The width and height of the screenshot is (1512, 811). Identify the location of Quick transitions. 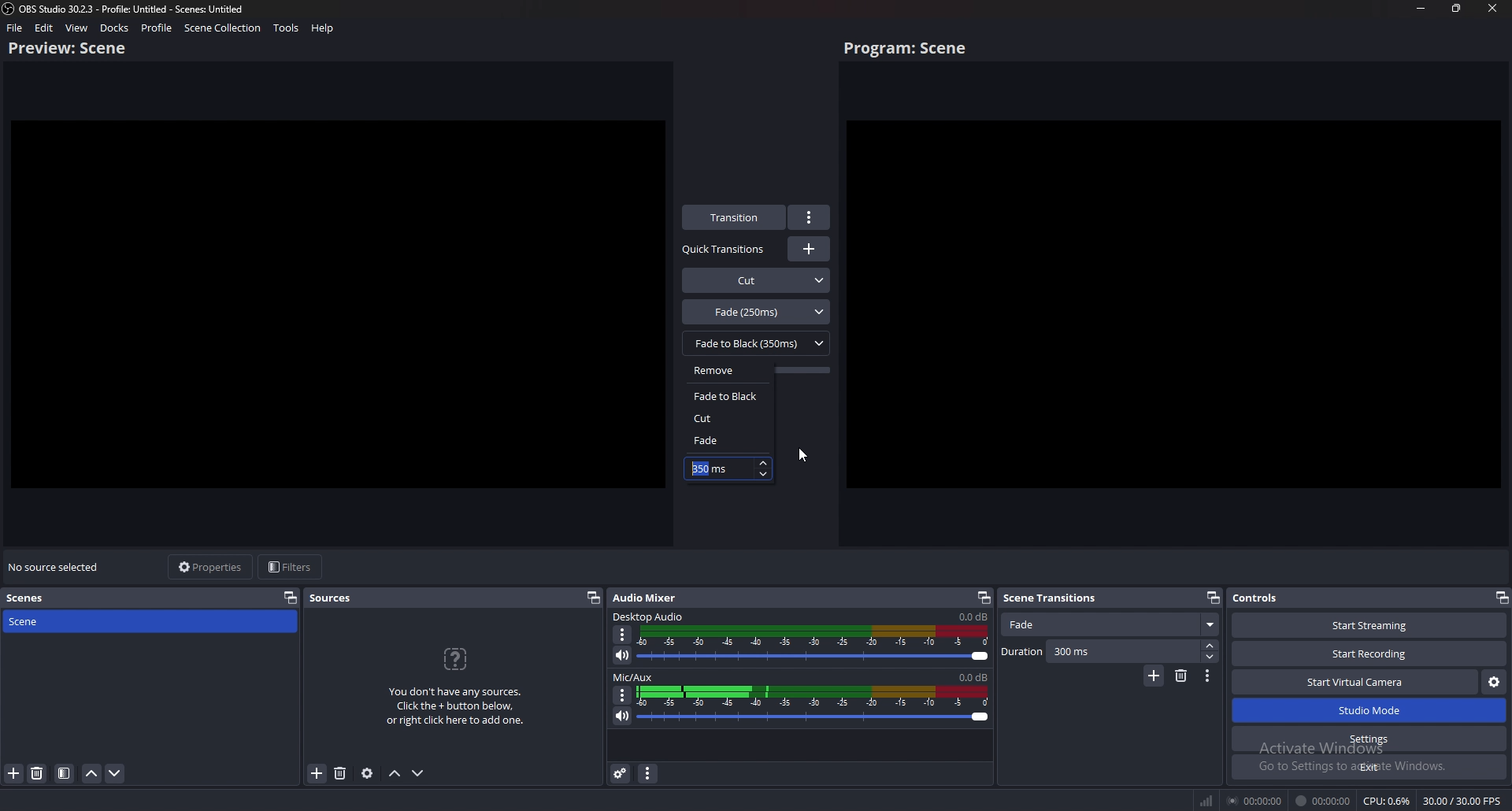
(725, 250).